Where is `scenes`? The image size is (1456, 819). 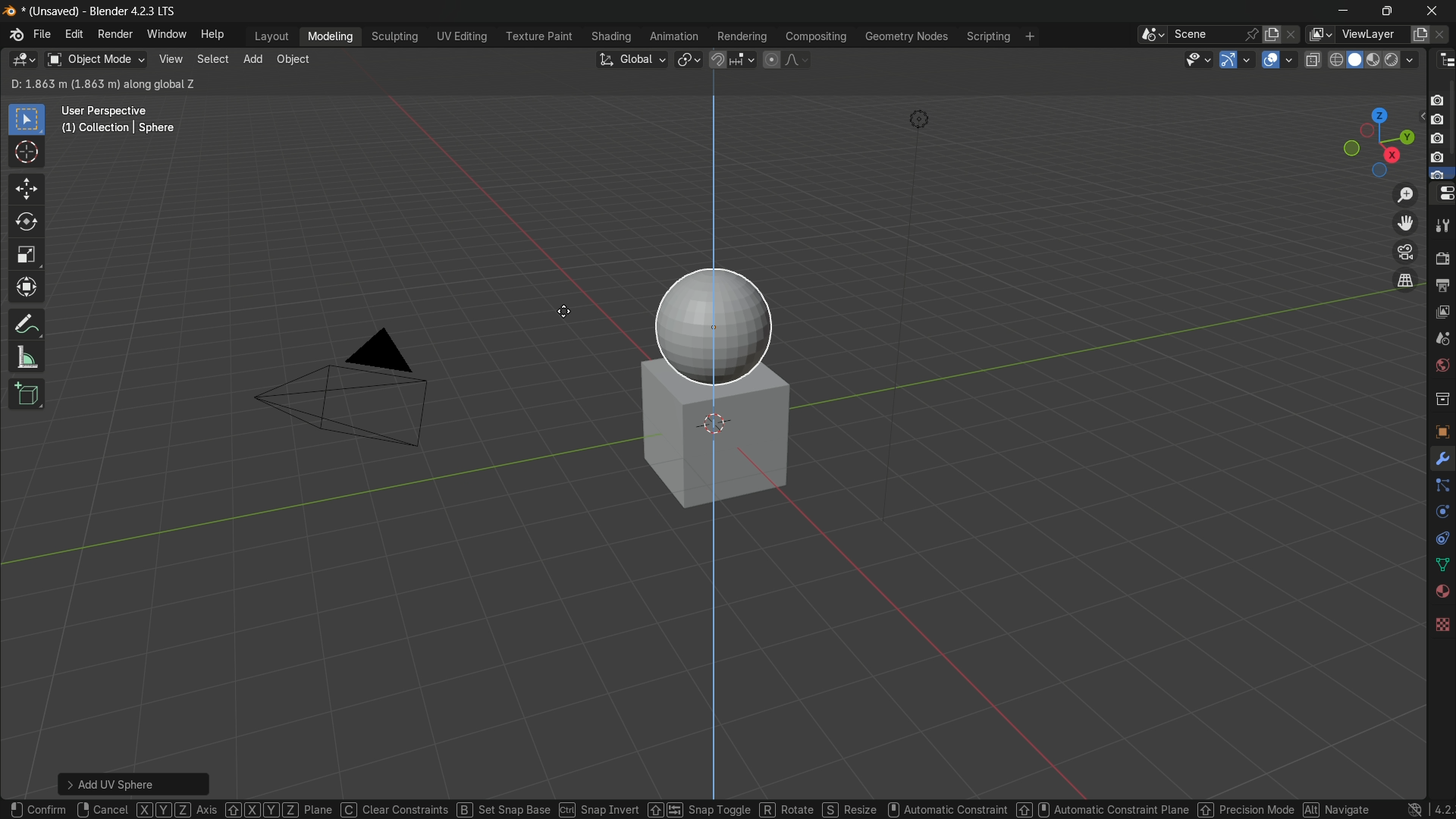 scenes is located at coordinates (1442, 337).